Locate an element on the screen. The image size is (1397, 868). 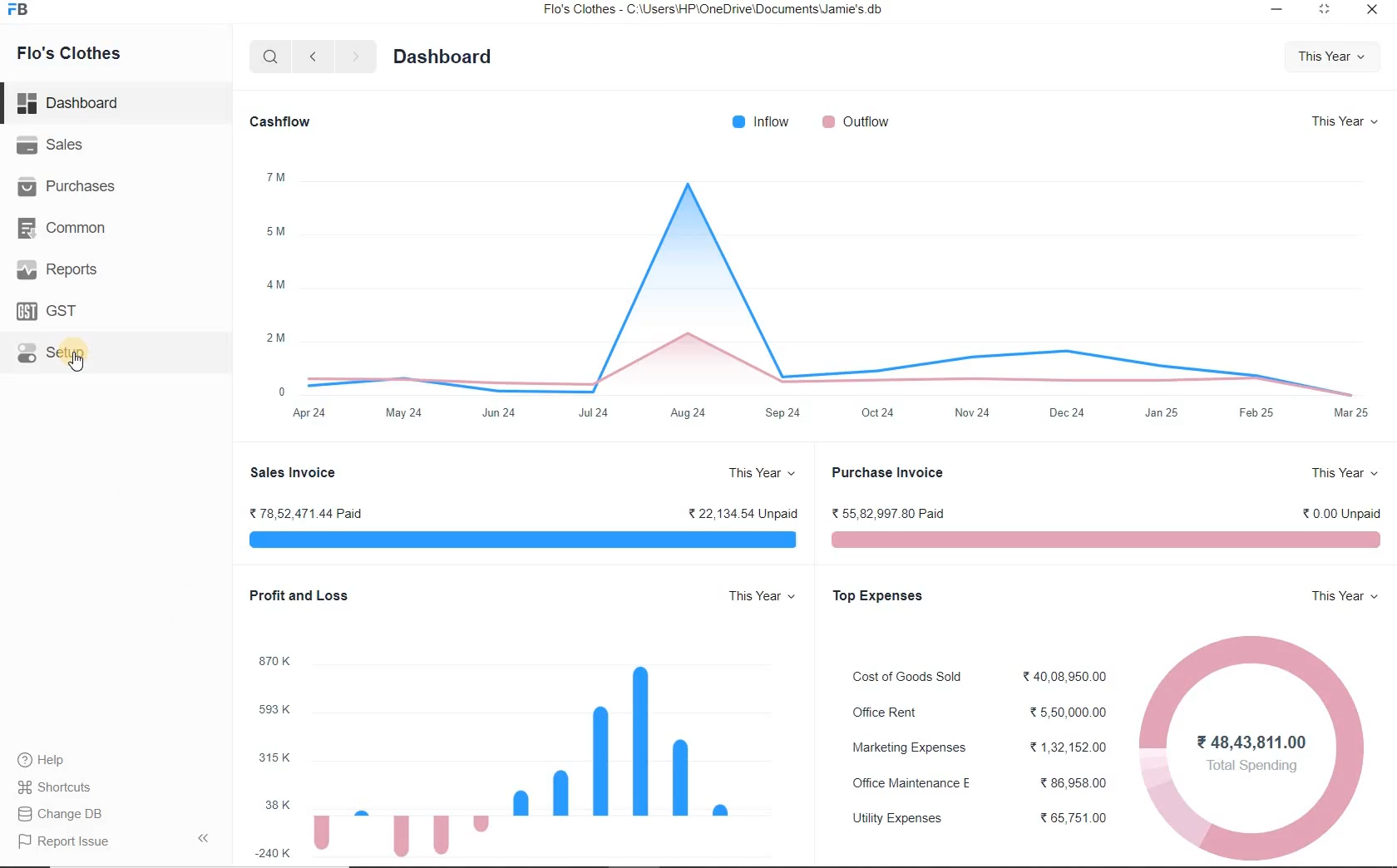
This Year  is located at coordinates (763, 472).